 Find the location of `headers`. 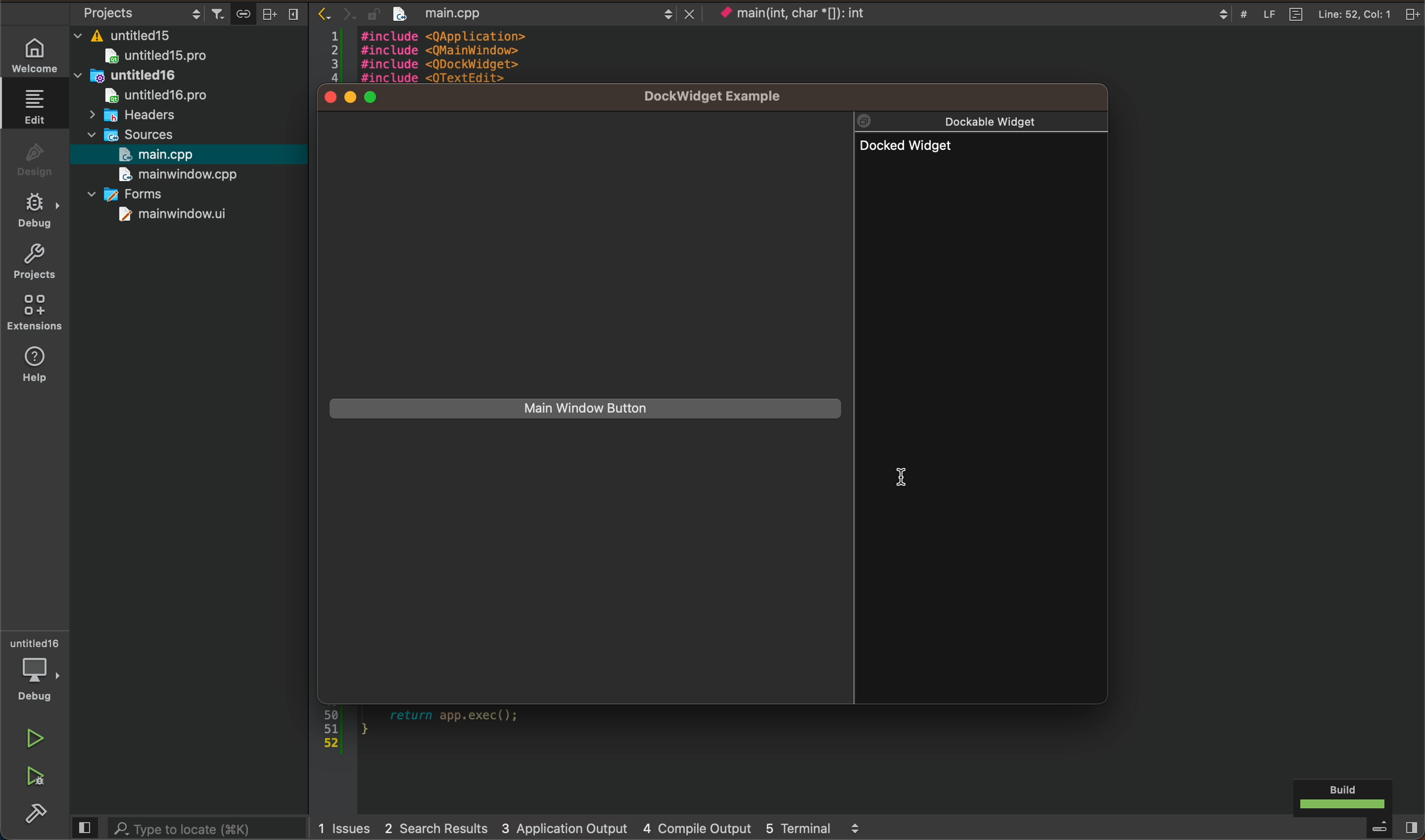

headers is located at coordinates (140, 114).